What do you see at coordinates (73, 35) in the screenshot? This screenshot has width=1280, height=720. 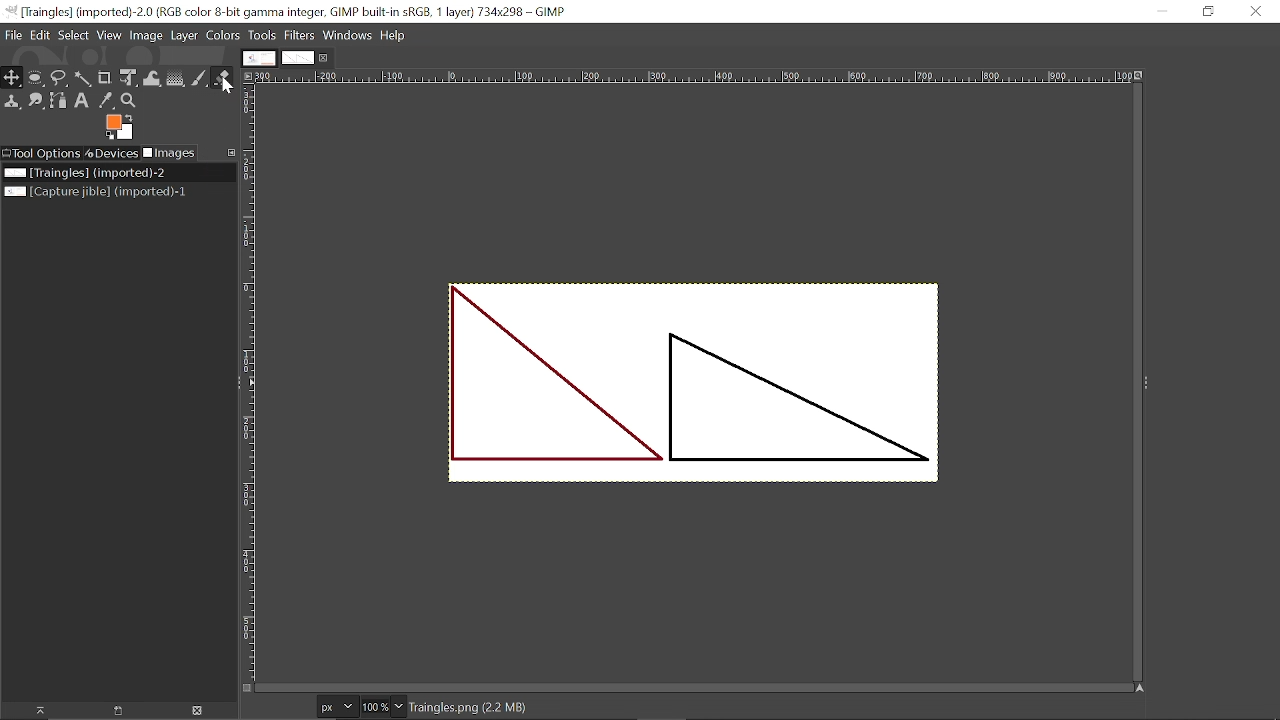 I see `Select` at bounding box center [73, 35].